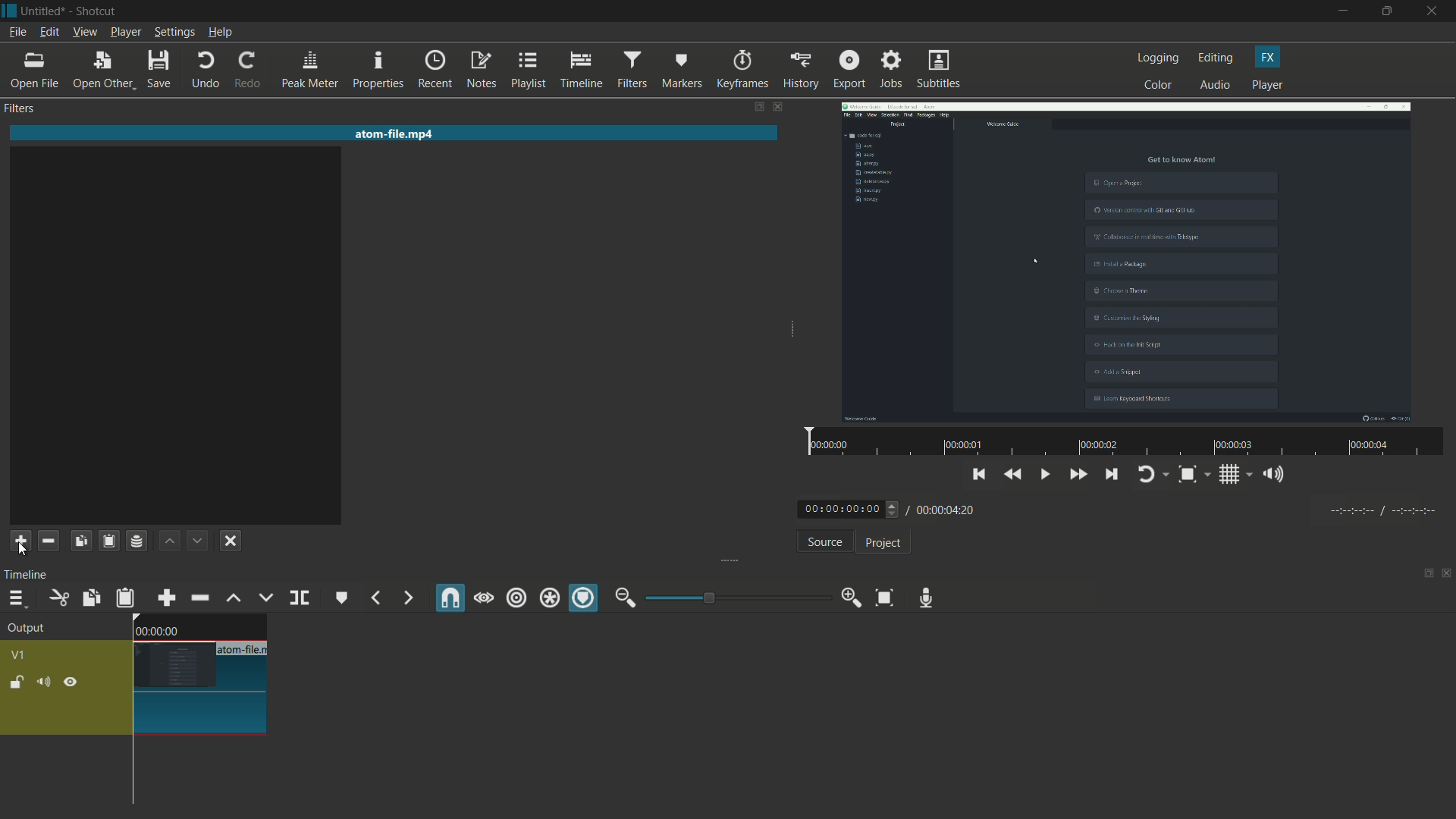 The height and width of the screenshot is (819, 1456). I want to click on recent, so click(437, 69).